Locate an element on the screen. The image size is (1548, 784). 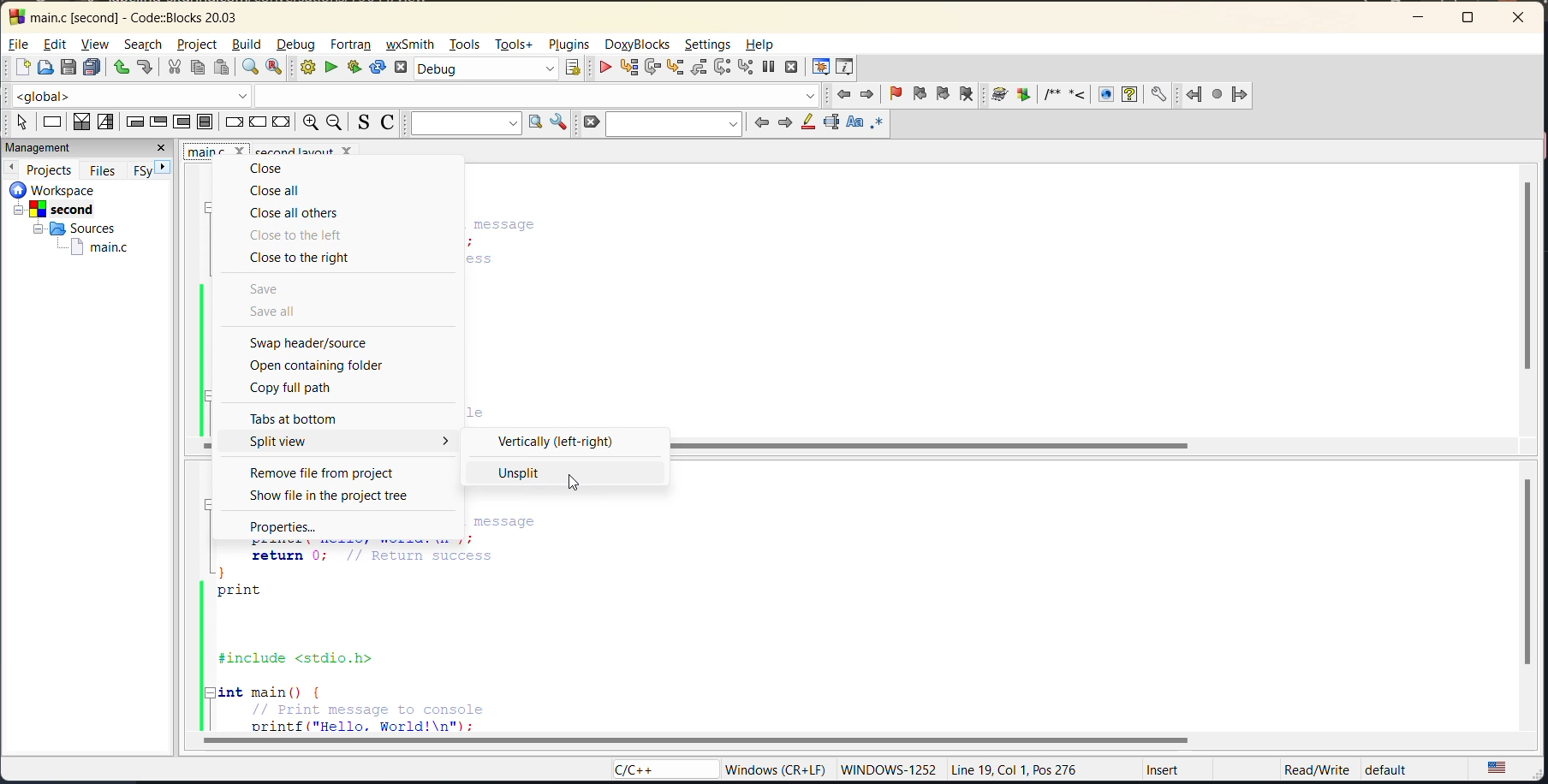
close to the left is located at coordinates (299, 235).